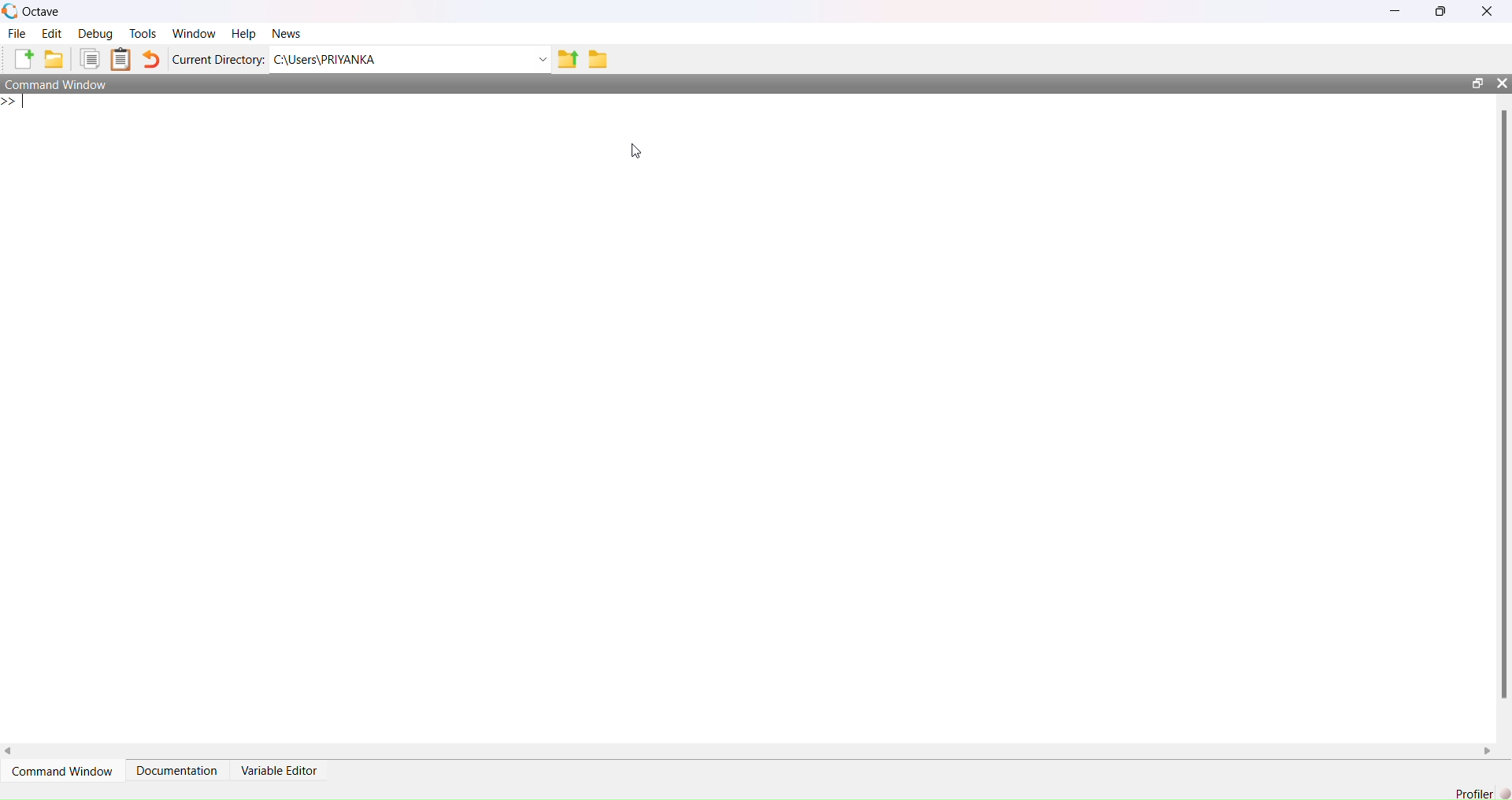 Image resolution: width=1512 pixels, height=800 pixels. I want to click on cursor, so click(636, 150).